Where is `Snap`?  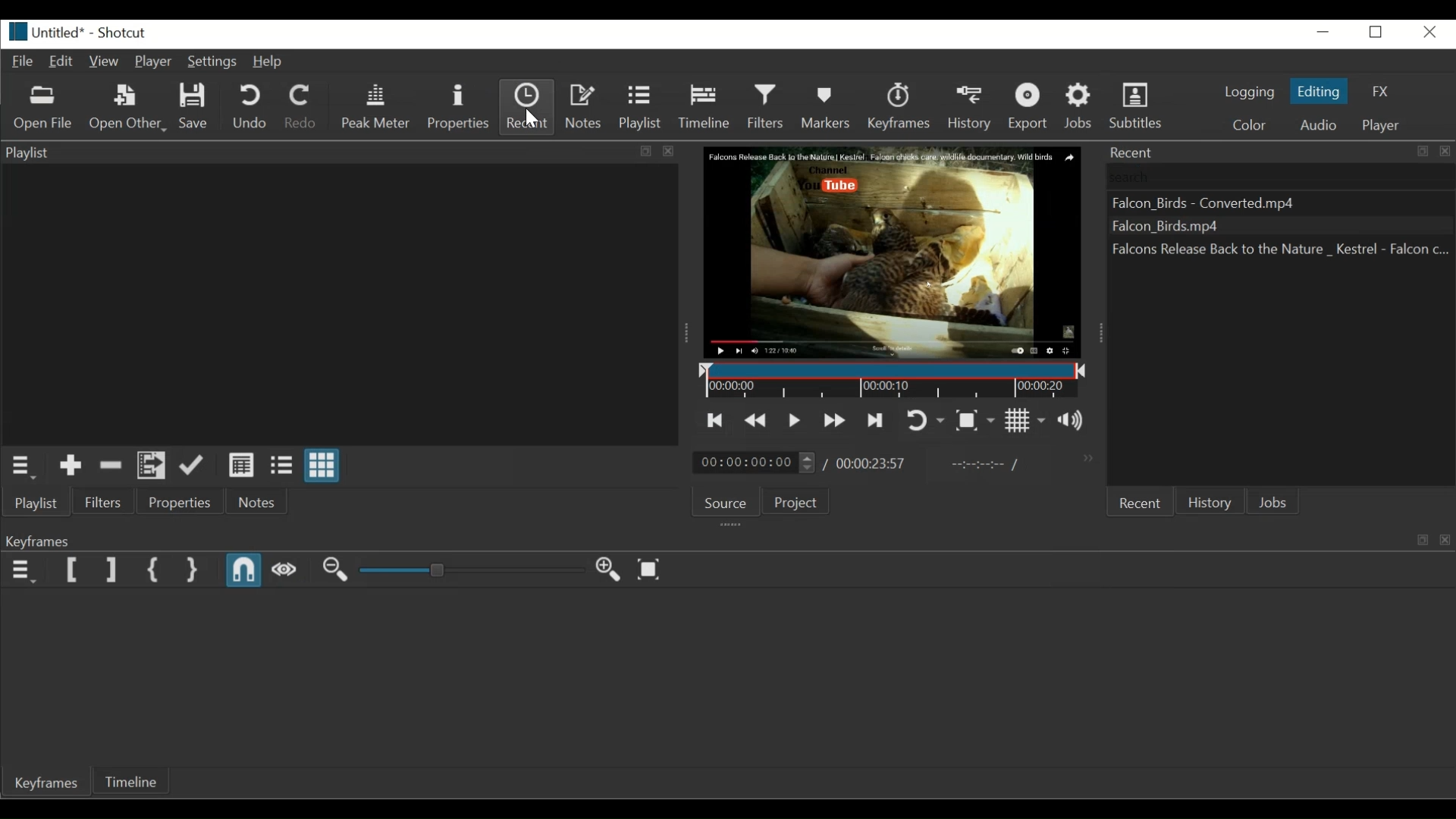
Snap is located at coordinates (243, 569).